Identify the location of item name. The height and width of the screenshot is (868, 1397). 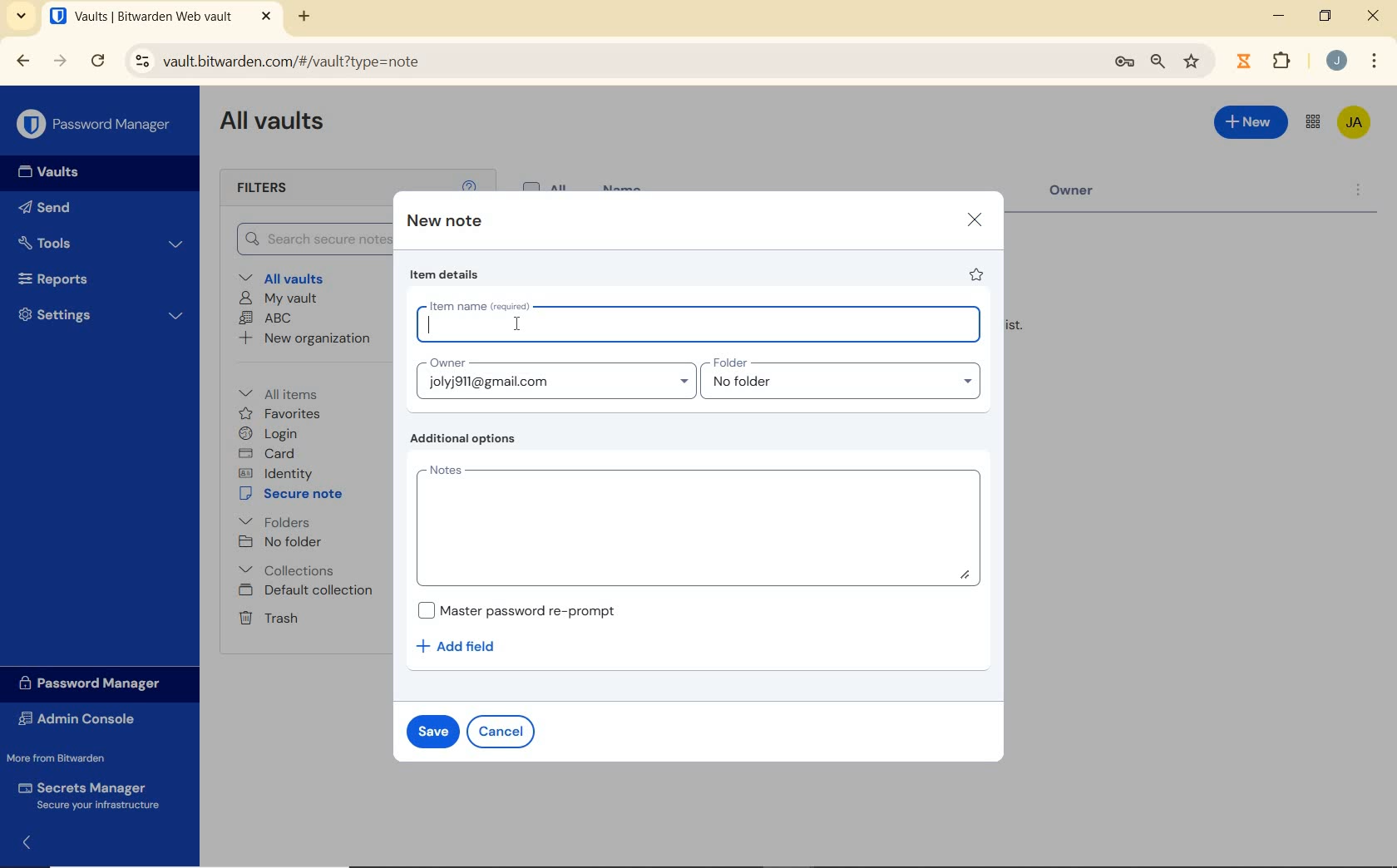
(700, 323).